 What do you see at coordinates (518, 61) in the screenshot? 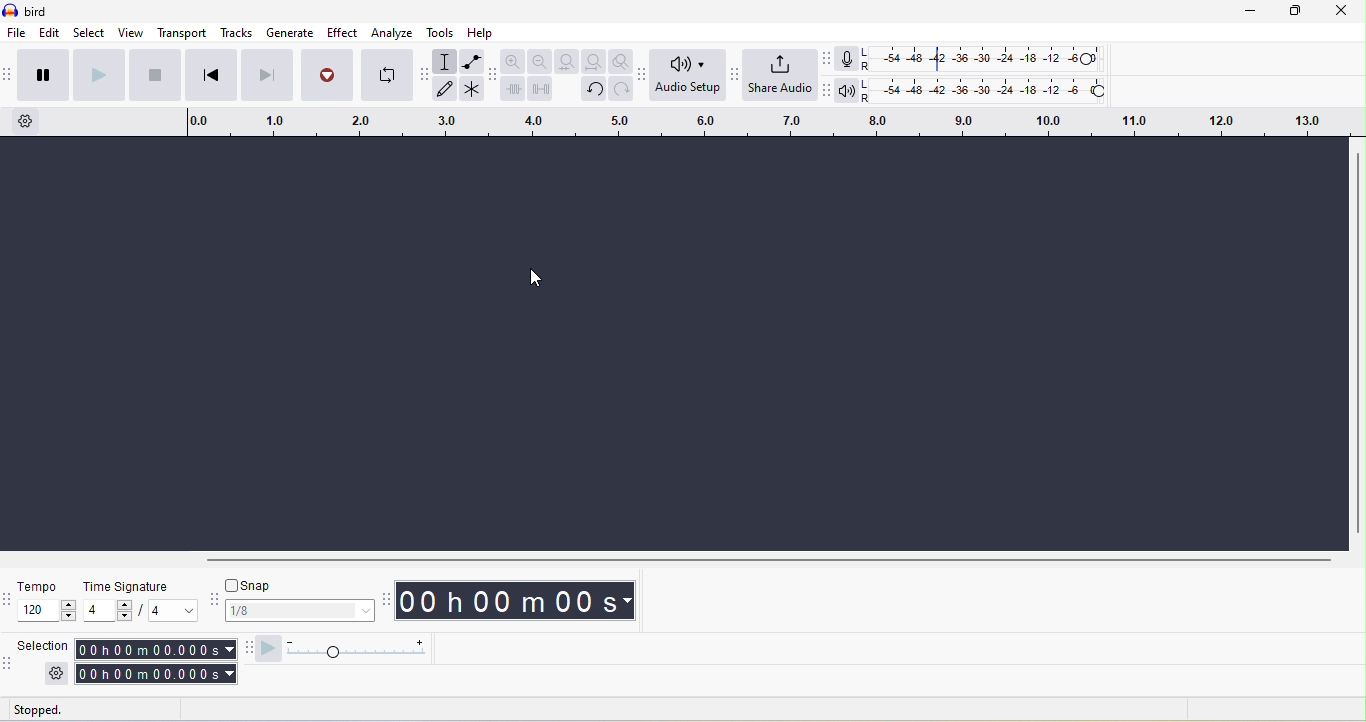
I see `zoom in` at bounding box center [518, 61].